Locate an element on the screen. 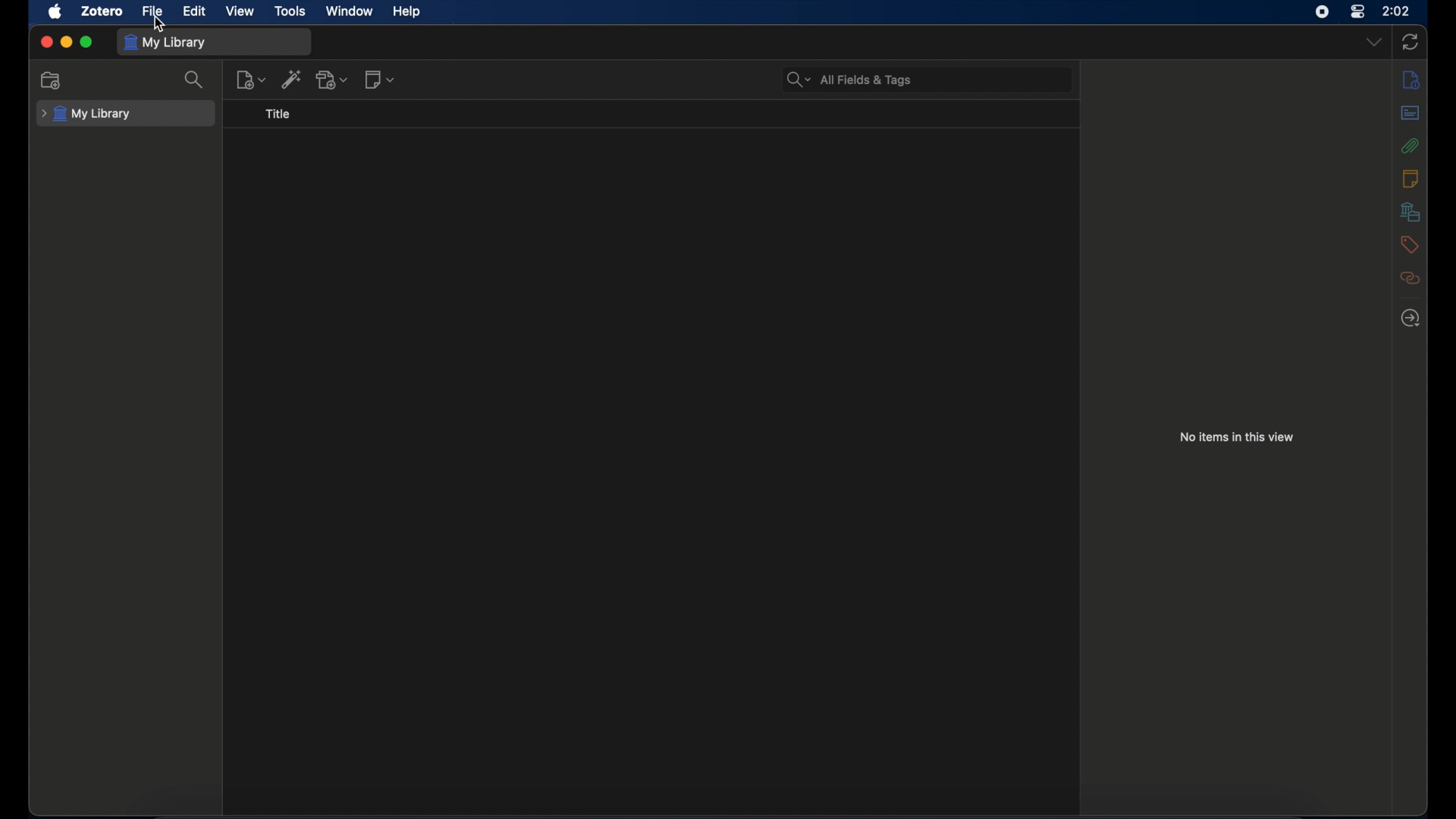  file is located at coordinates (153, 11).